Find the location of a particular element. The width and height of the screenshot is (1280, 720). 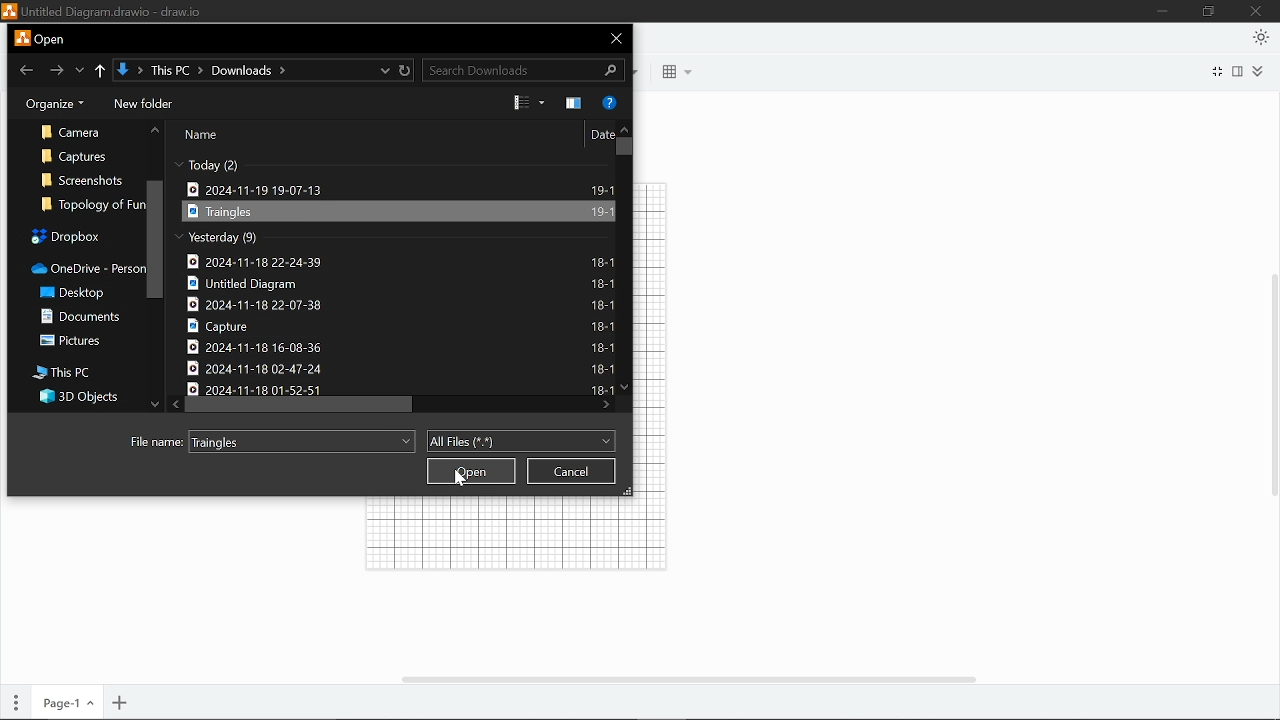

Move down is located at coordinates (151, 405).